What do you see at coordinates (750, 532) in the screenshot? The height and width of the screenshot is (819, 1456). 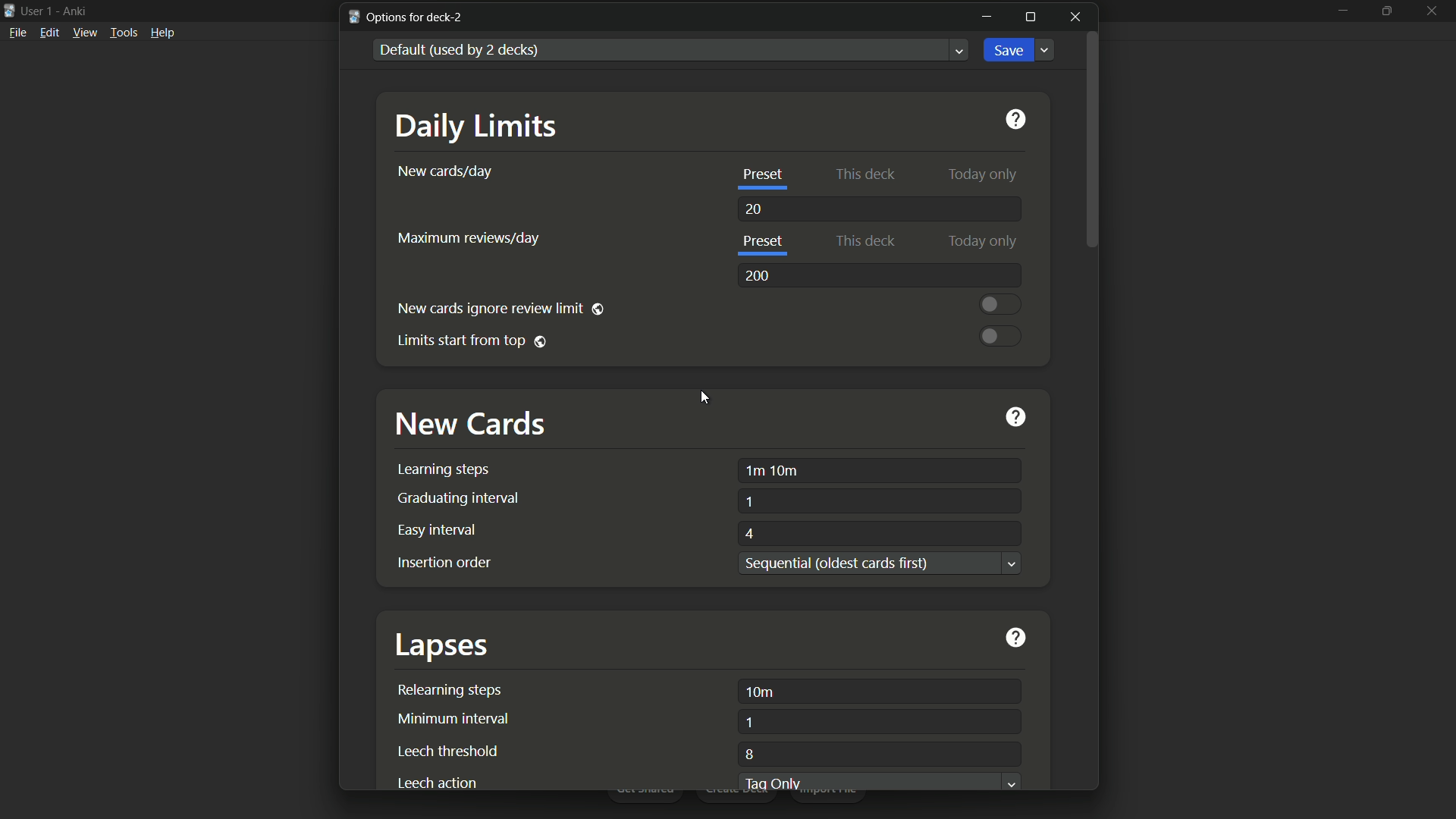 I see `4` at bounding box center [750, 532].